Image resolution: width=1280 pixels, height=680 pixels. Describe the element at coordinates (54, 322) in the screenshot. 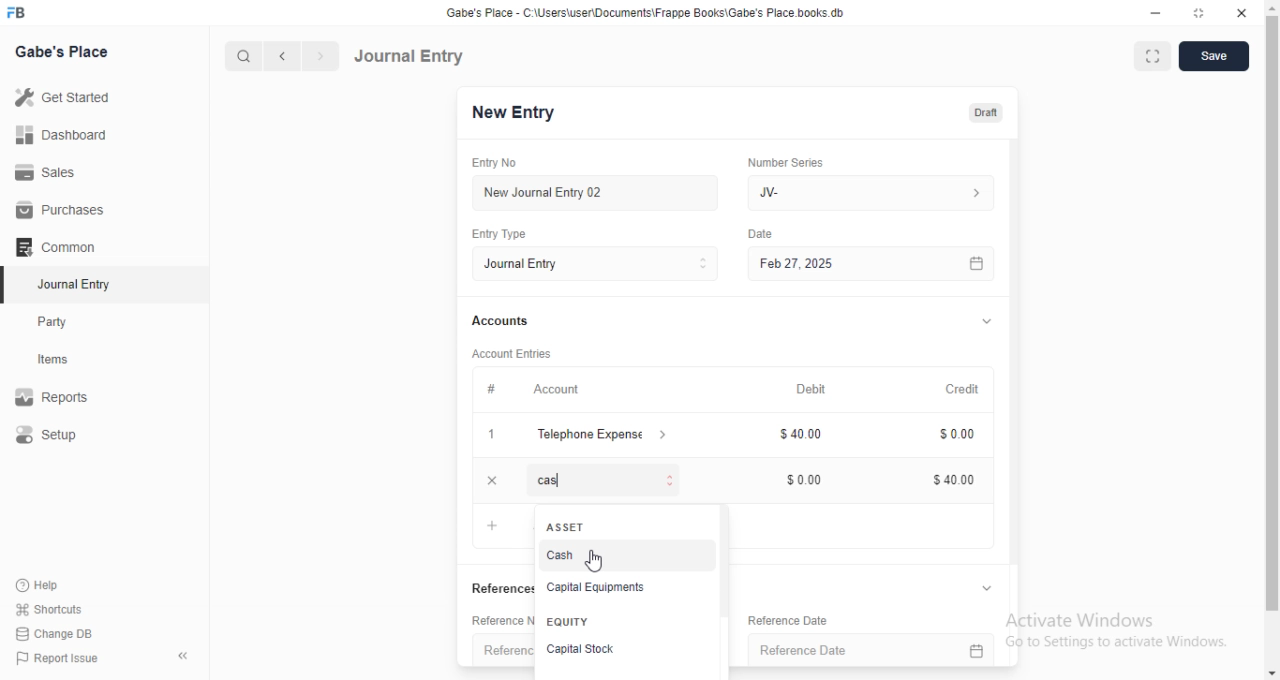

I see `Party` at that location.